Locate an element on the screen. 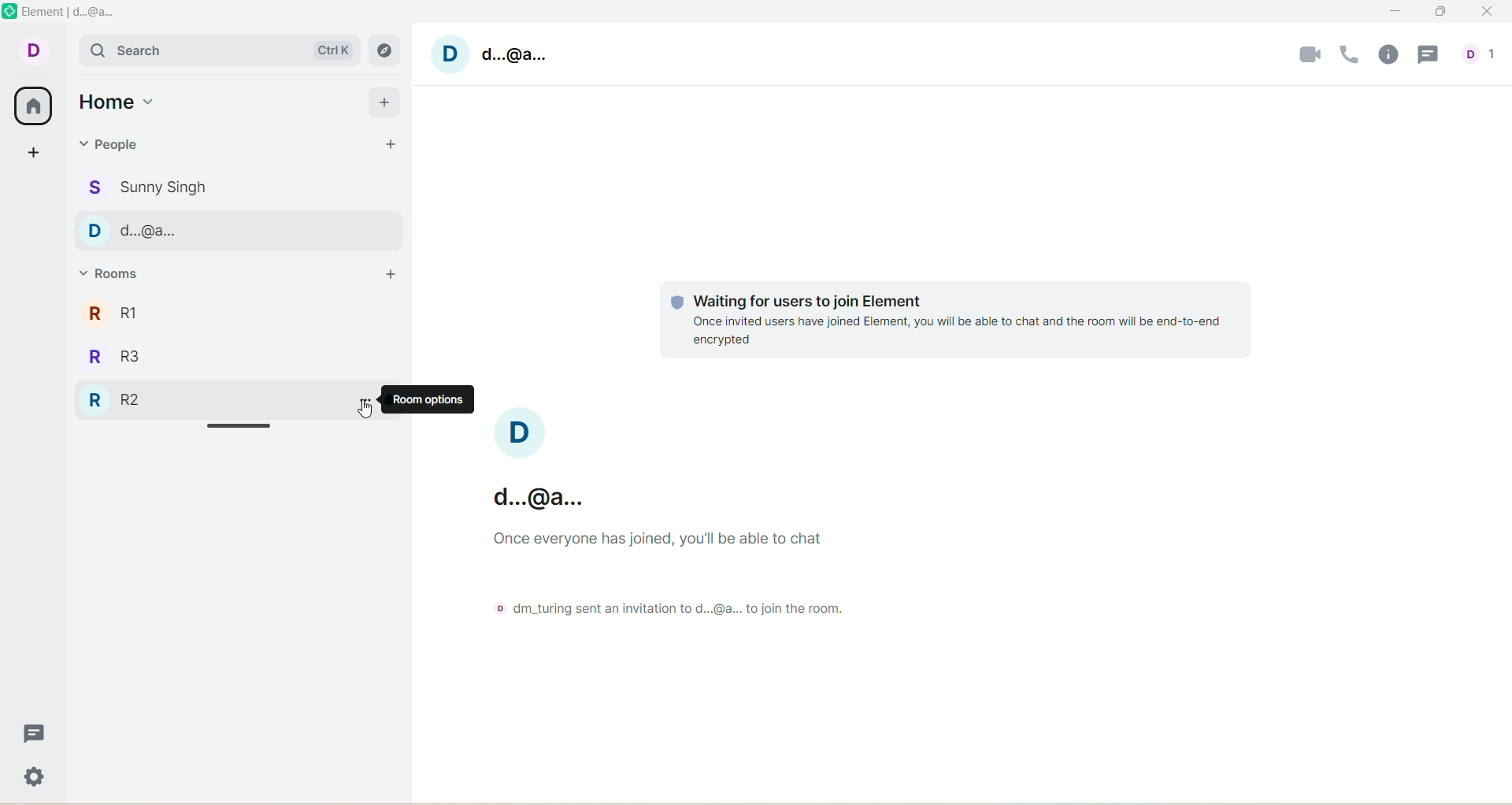  all rooms is located at coordinates (35, 106).